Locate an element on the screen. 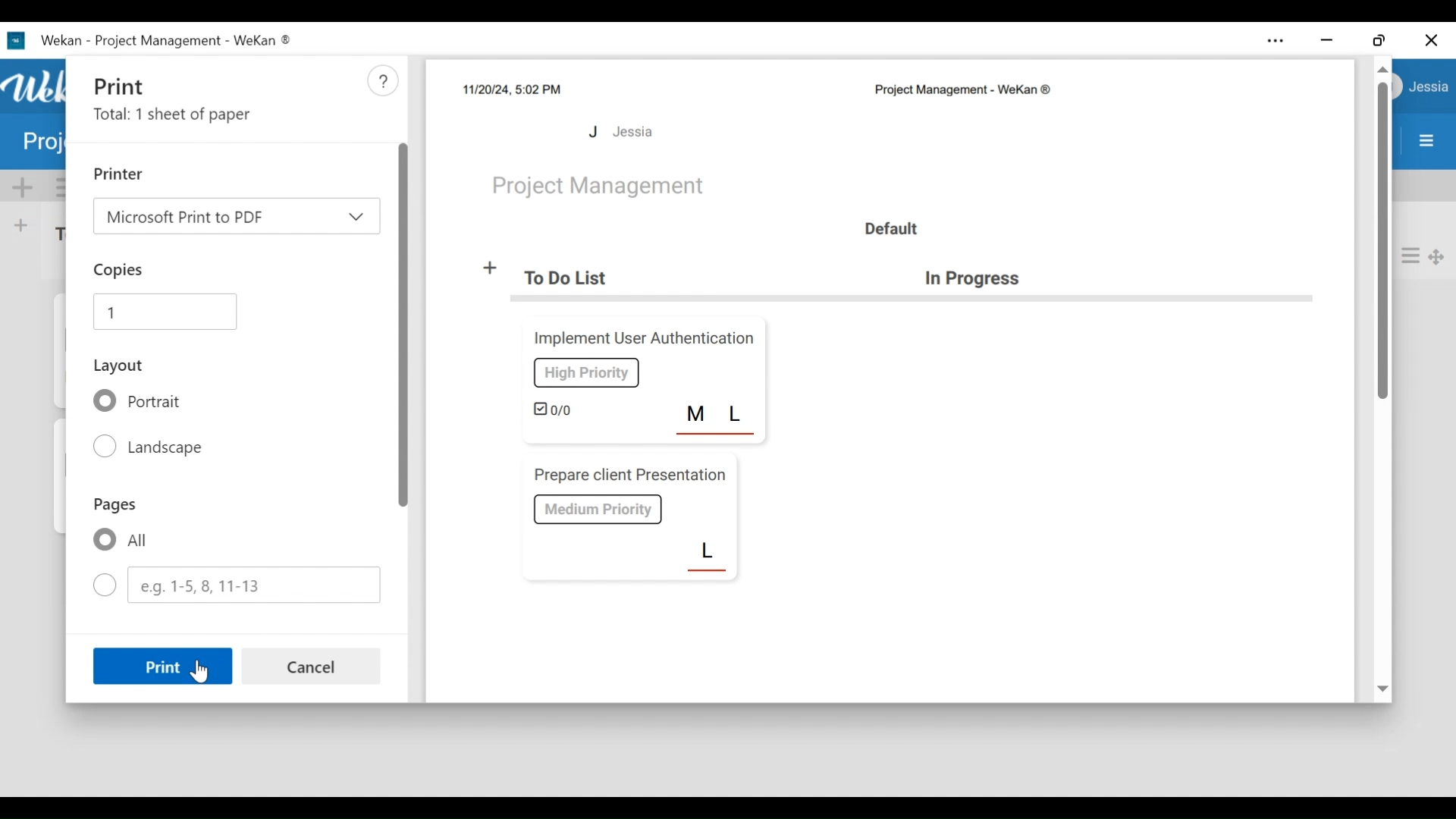 This screenshot has width=1456, height=819. Microsoft Print to PDF is located at coordinates (234, 215).